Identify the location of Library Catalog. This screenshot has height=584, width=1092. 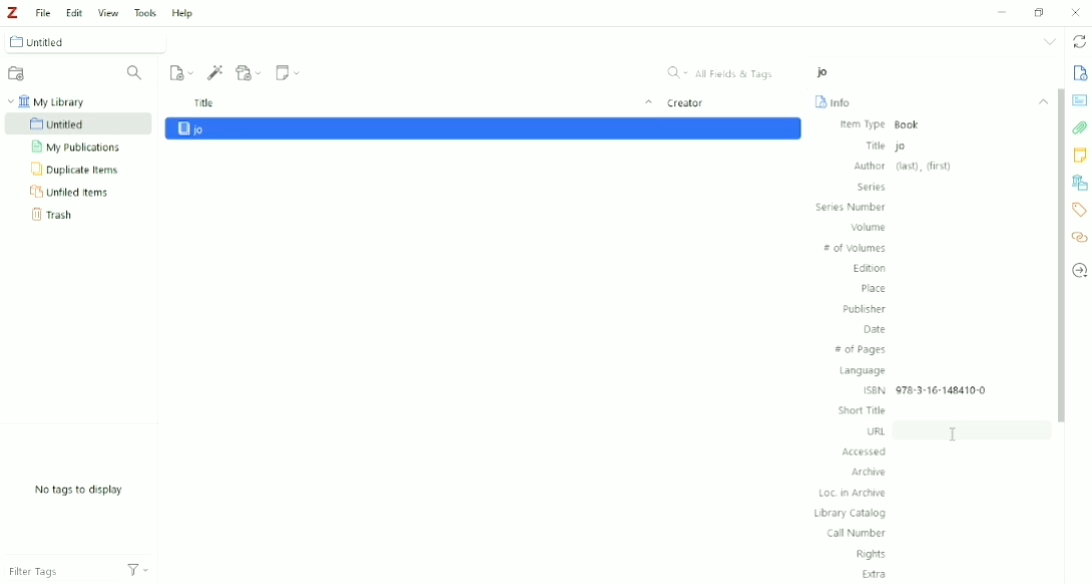
(849, 513).